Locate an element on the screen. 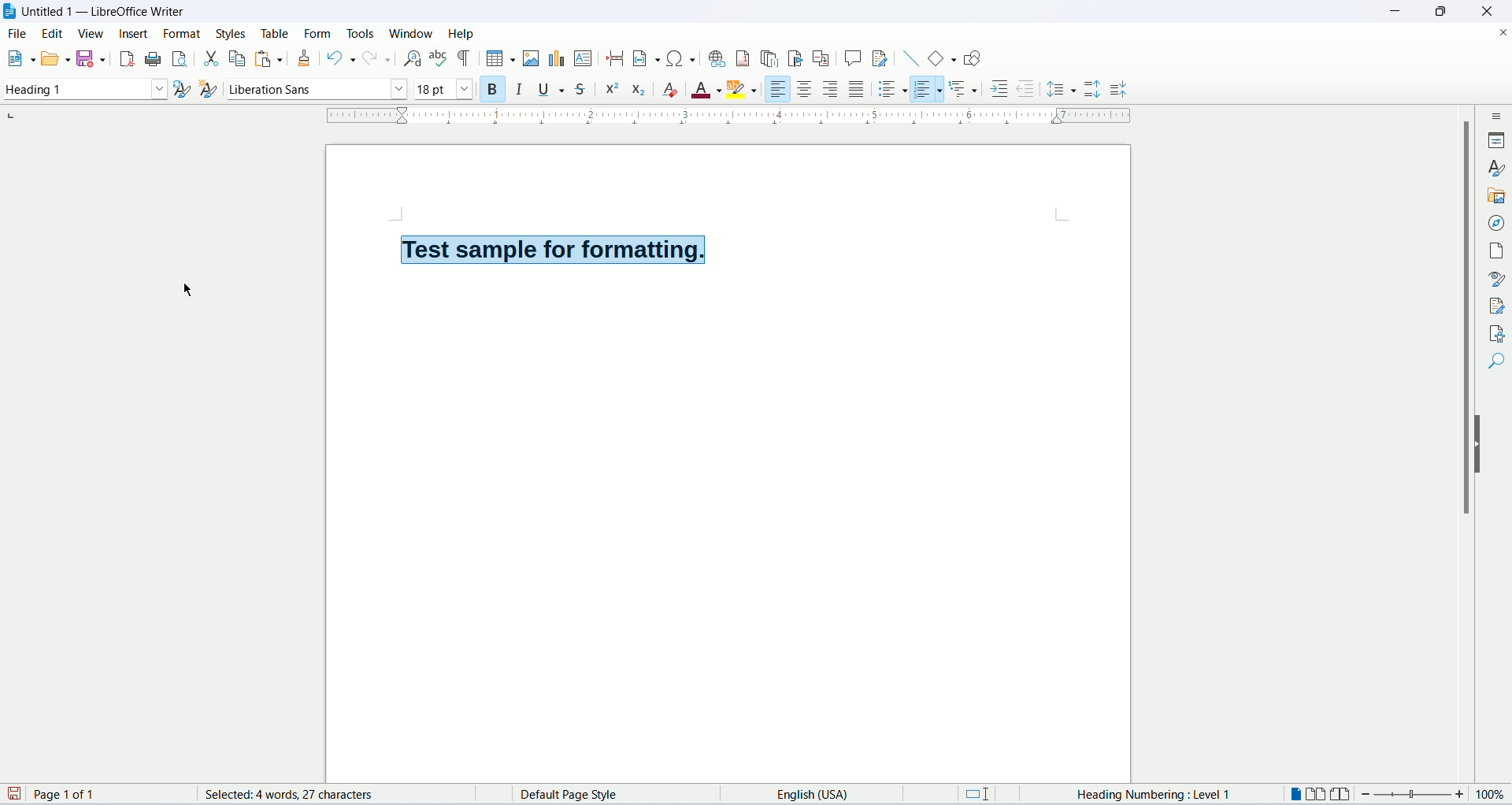 This screenshot has width=1512, height=805. font color is located at coordinates (707, 91).